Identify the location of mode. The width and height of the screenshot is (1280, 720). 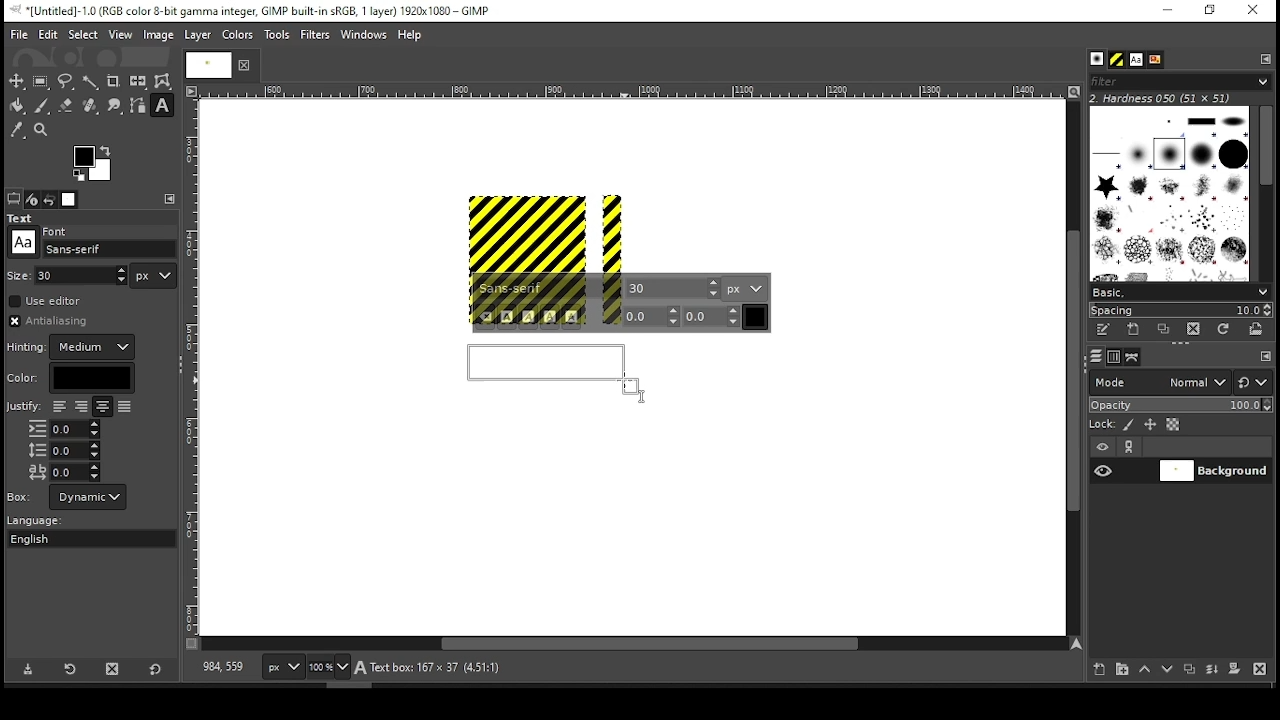
(1159, 384).